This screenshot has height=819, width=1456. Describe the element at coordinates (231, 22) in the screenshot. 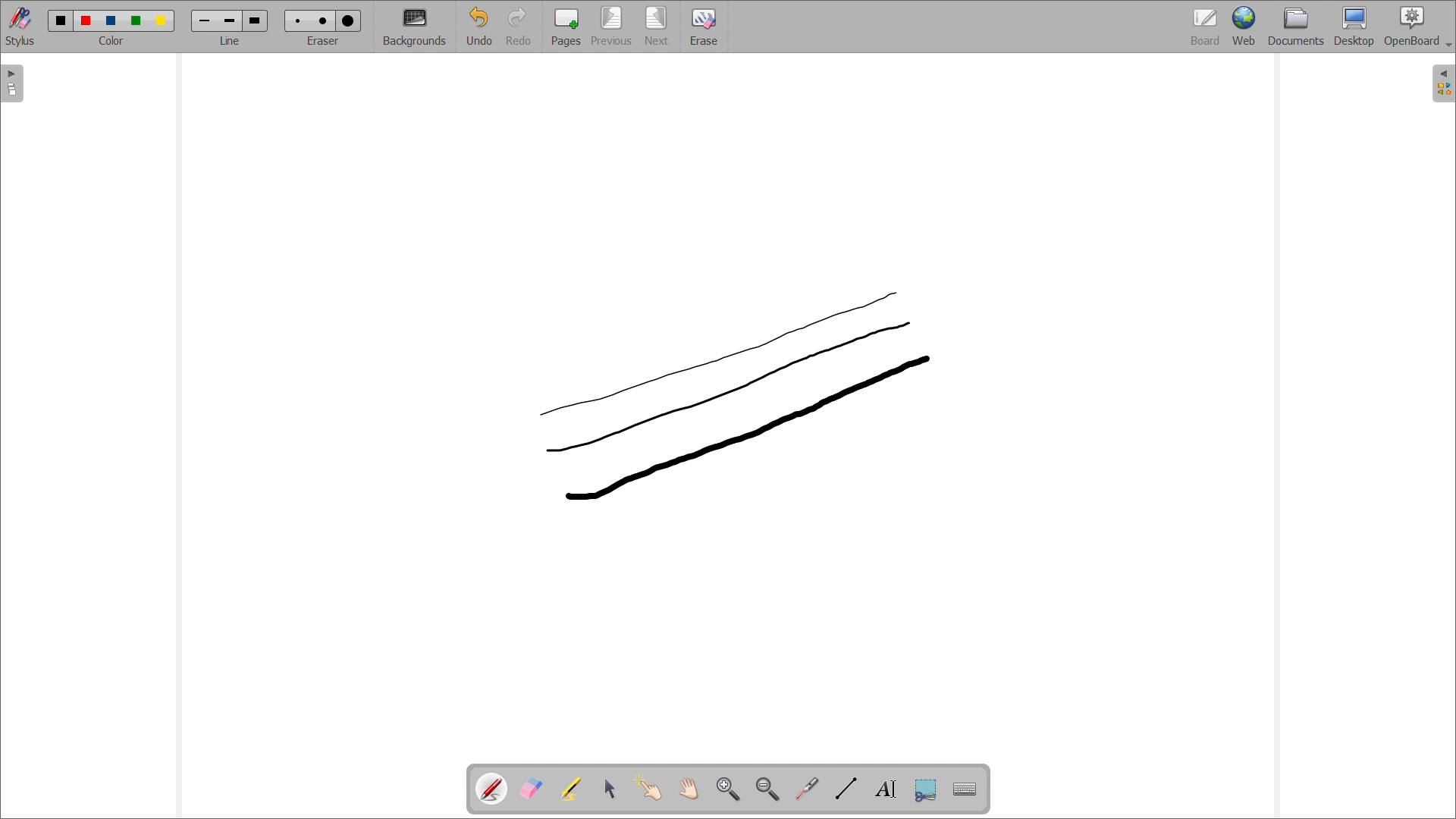

I see `line width size` at that location.